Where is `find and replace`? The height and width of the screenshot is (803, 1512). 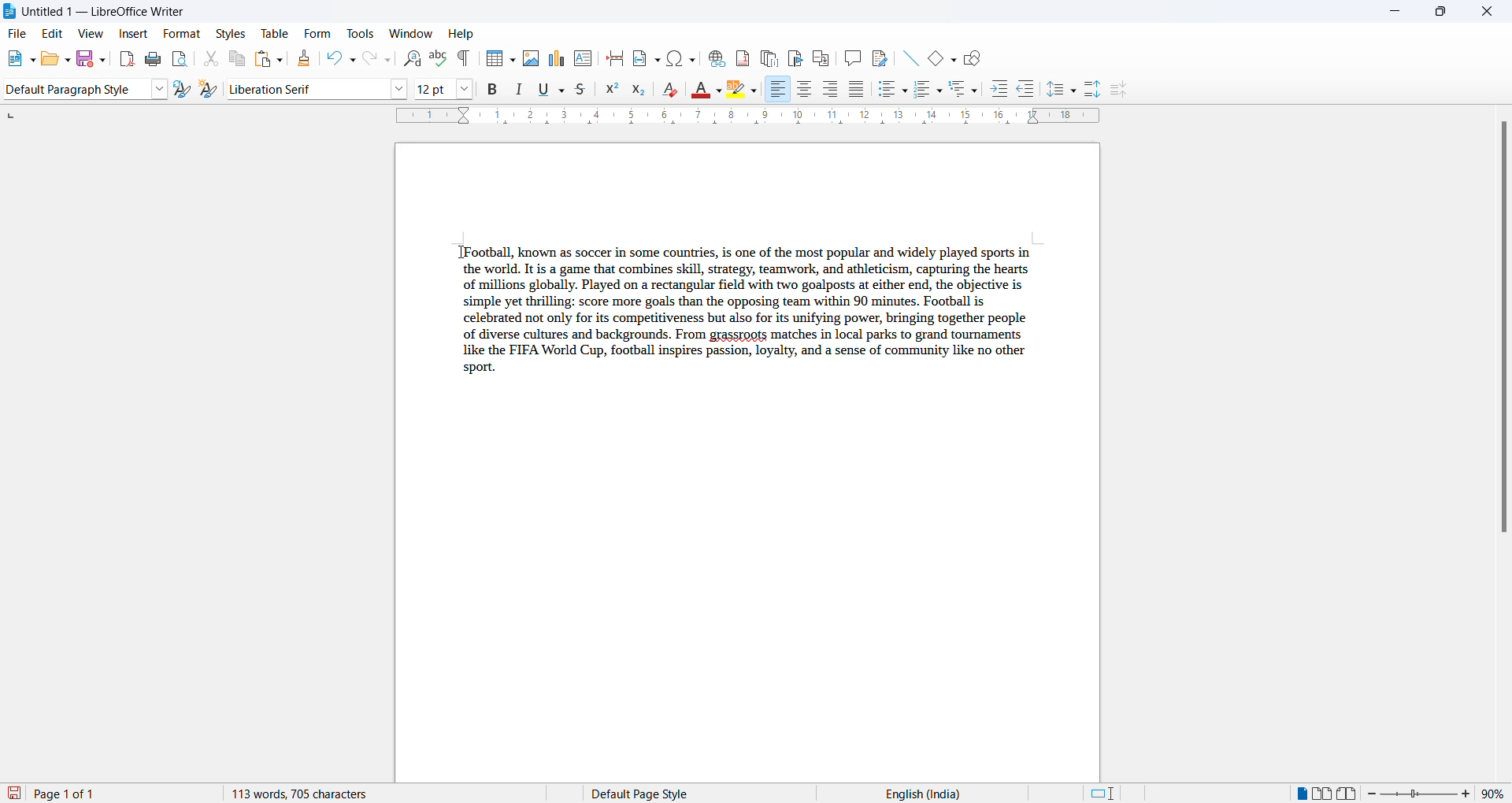
find and replace is located at coordinates (413, 58).